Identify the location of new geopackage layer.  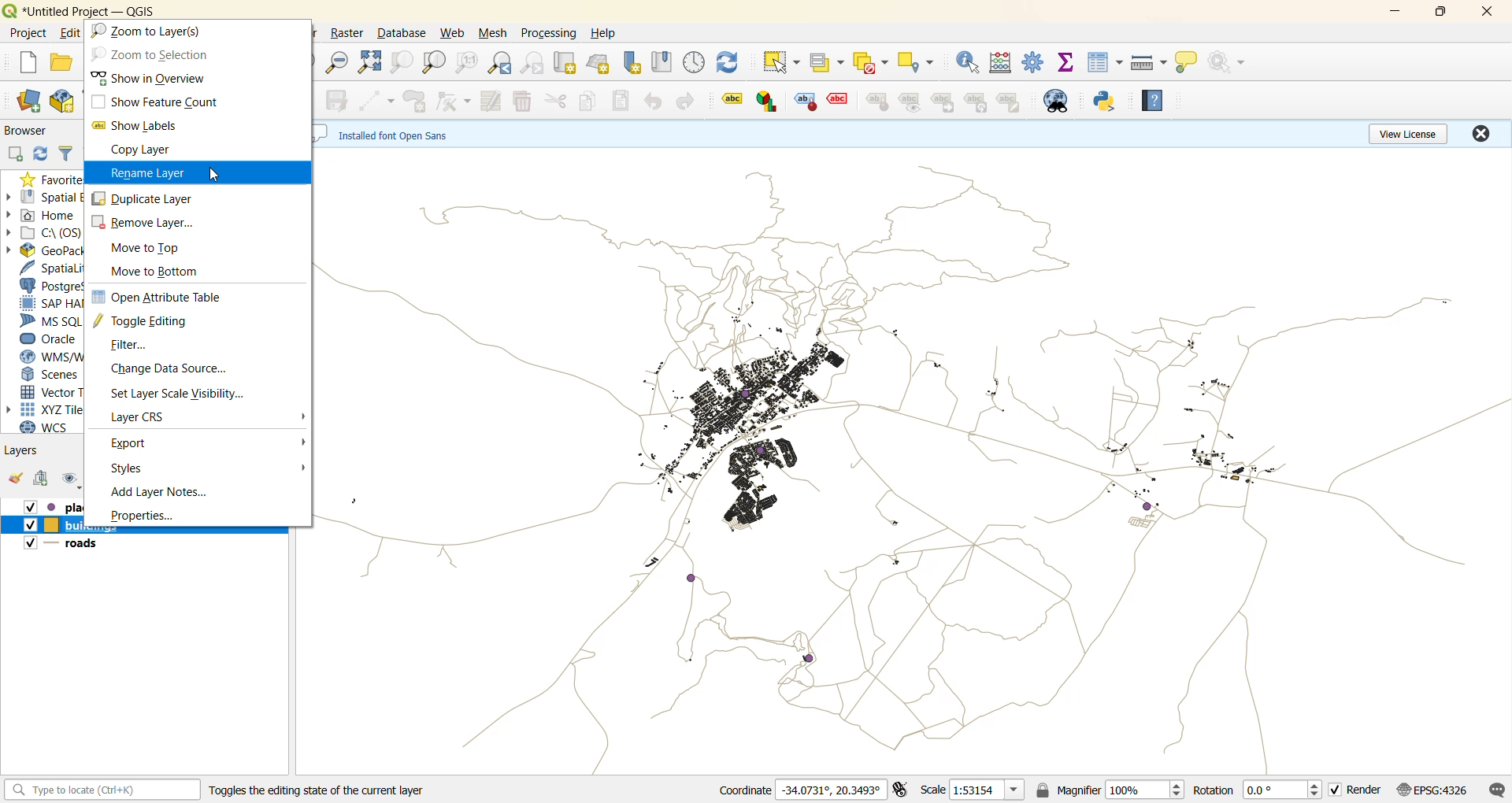
(64, 102).